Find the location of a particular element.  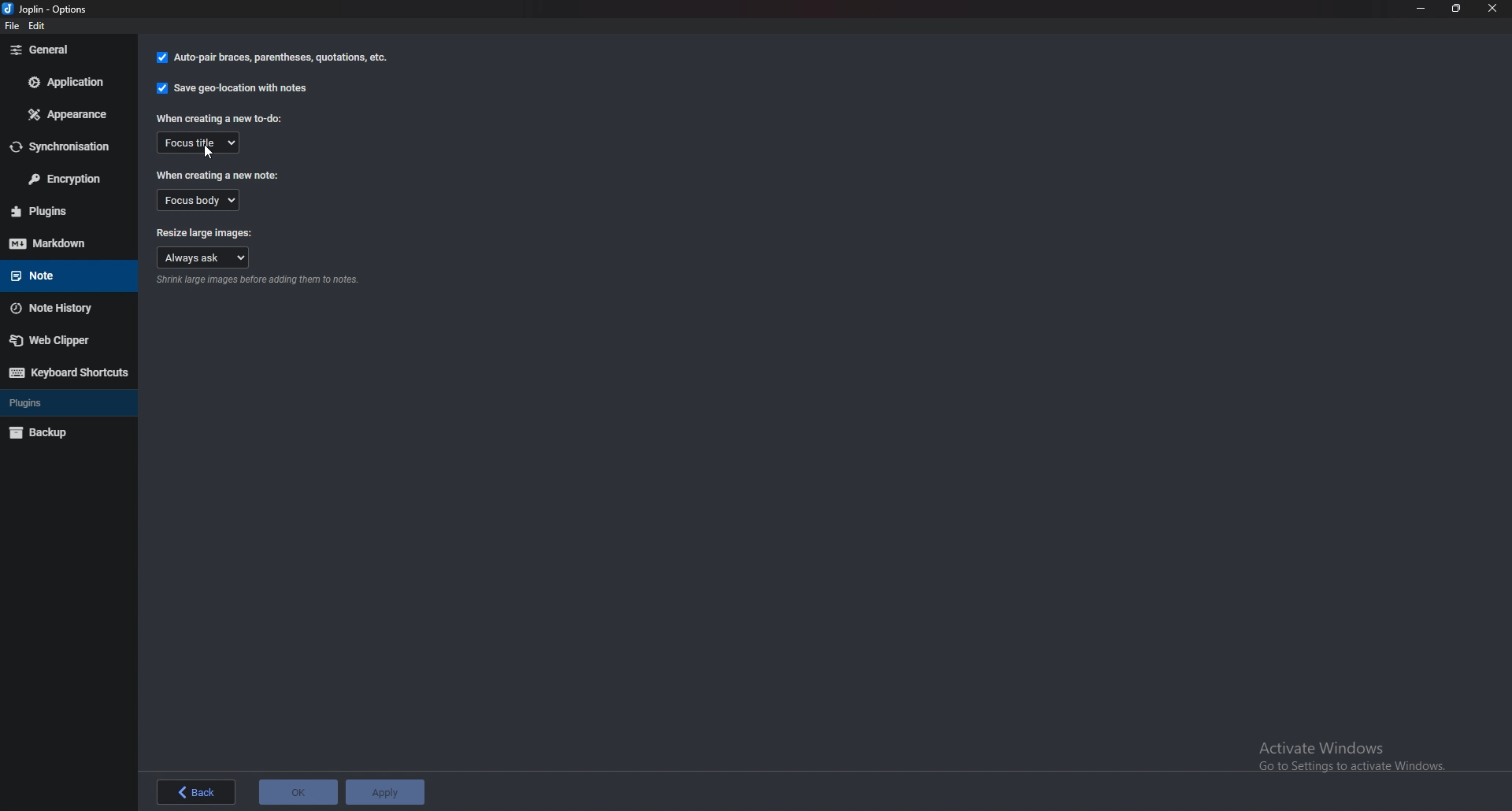

ok is located at coordinates (298, 792).